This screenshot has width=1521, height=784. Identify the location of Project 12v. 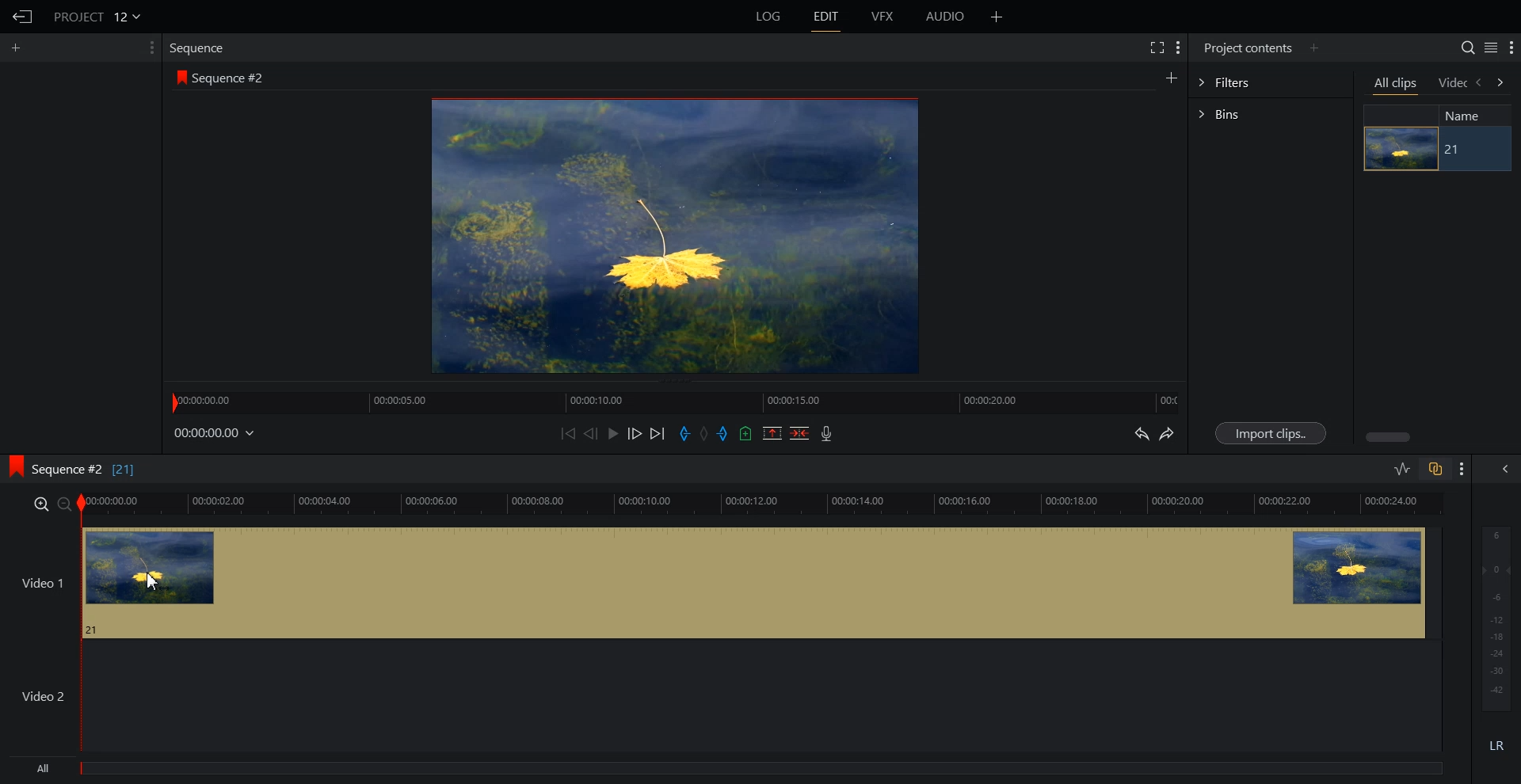
(97, 16).